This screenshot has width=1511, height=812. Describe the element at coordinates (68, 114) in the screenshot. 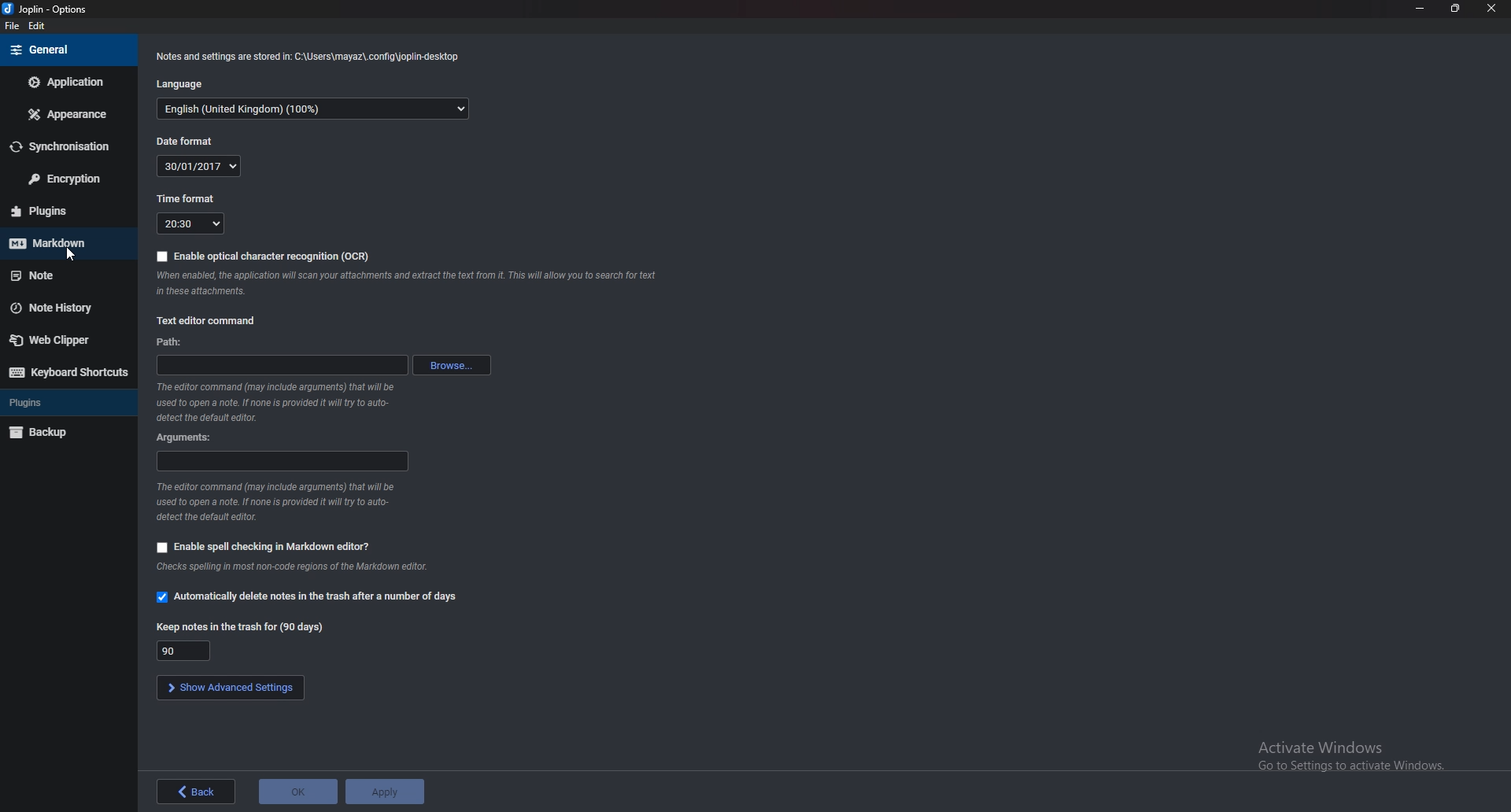

I see `Appearance` at that location.